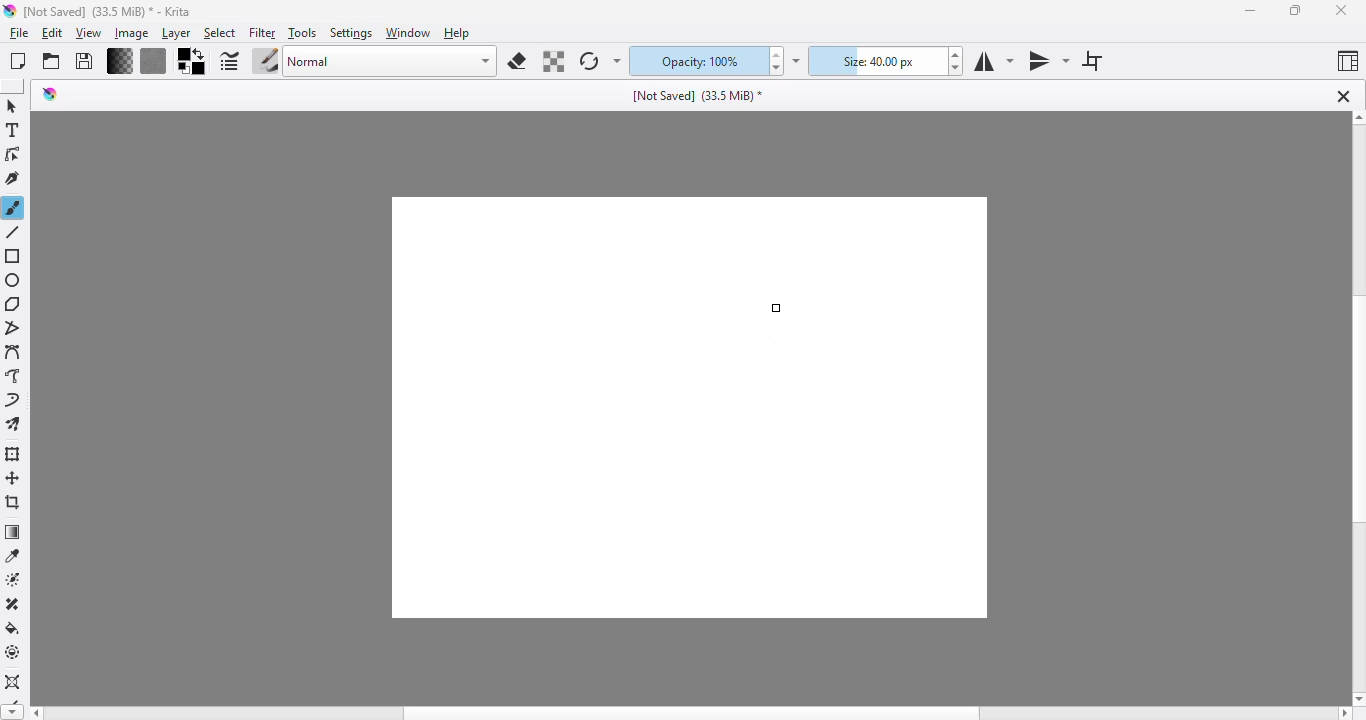 The width and height of the screenshot is (1366, 720). I want to click on wrap around mode, so click(1090, 61).